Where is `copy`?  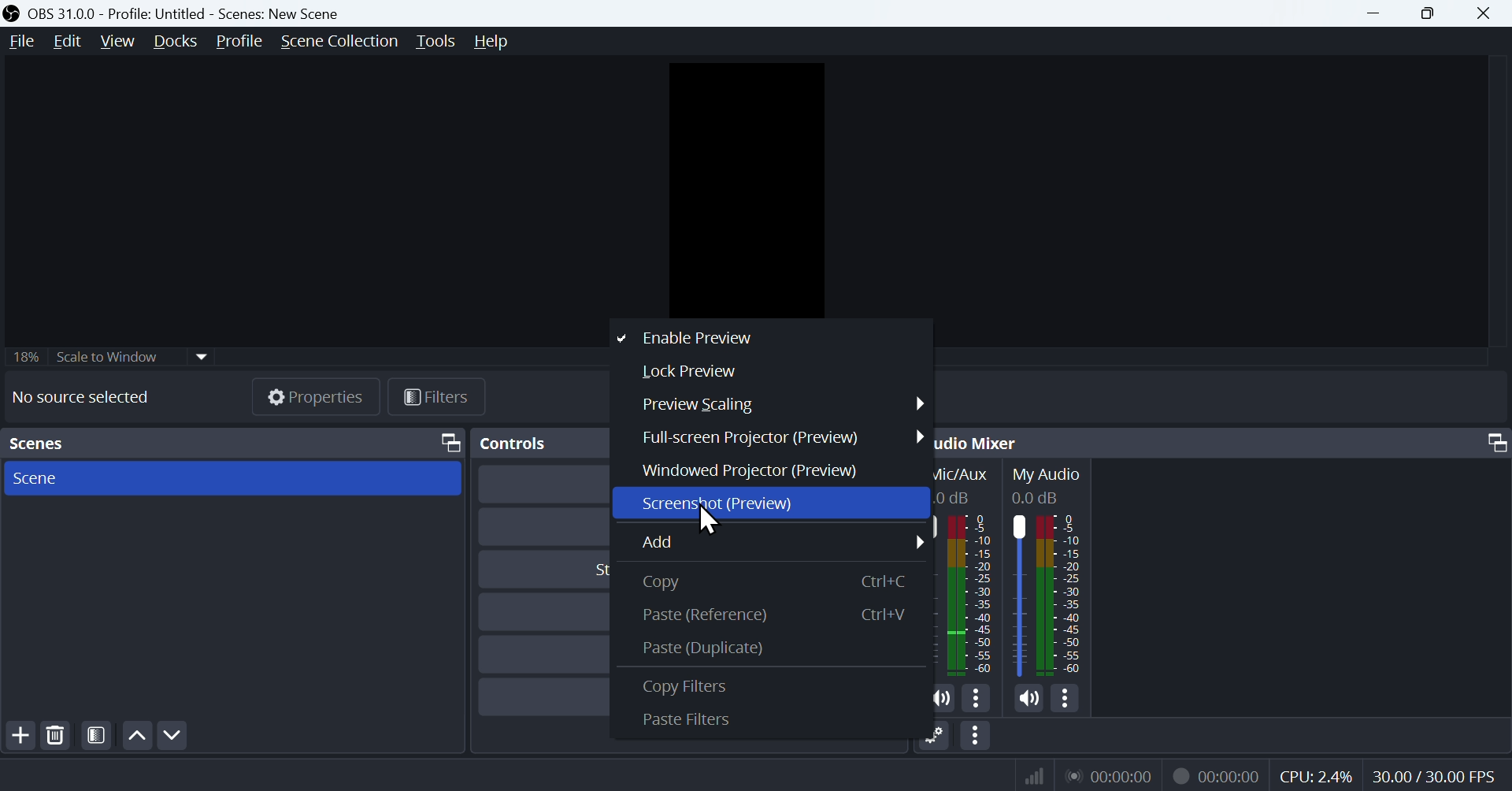 copy is located at coordinates (769, 582).